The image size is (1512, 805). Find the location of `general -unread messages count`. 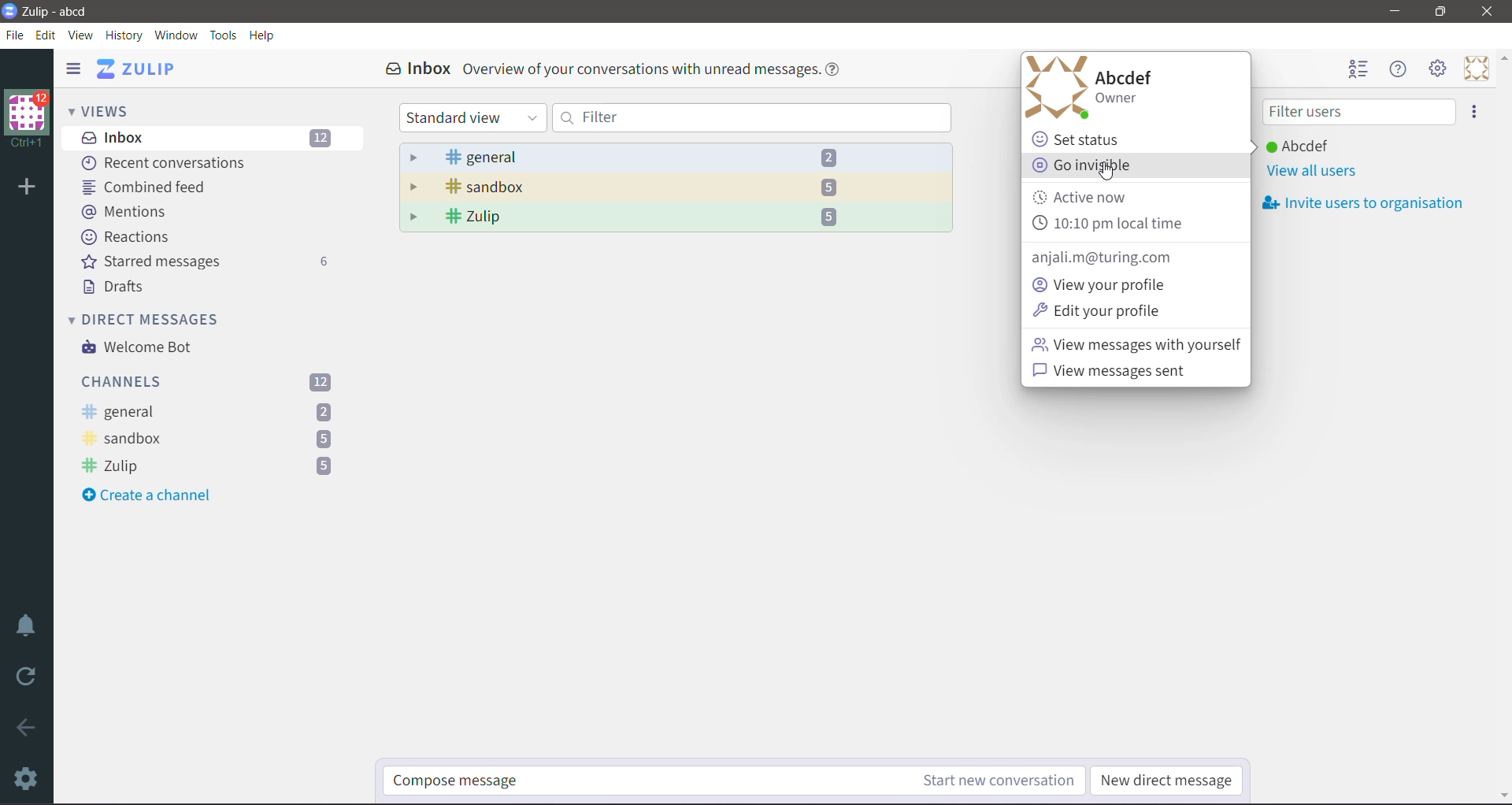

general -unread messages count is located at coordinates (209, 412).